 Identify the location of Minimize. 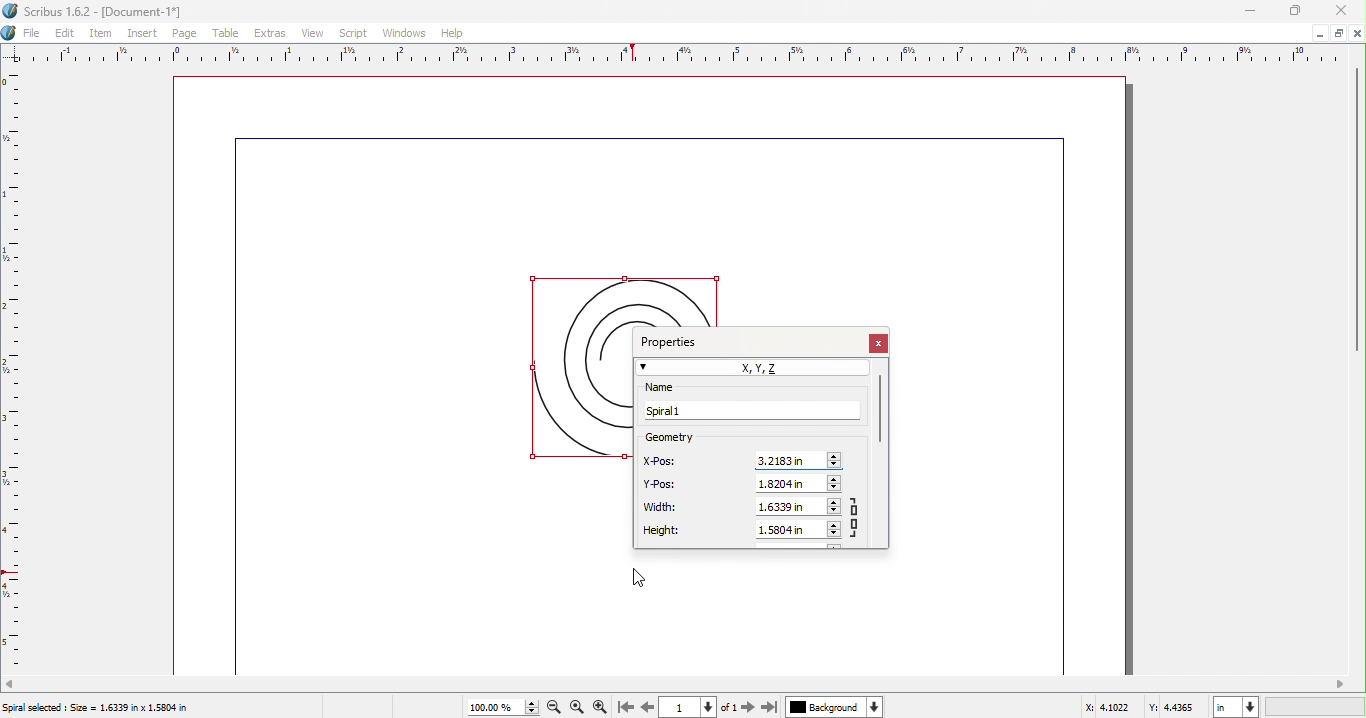
(1337, 33).